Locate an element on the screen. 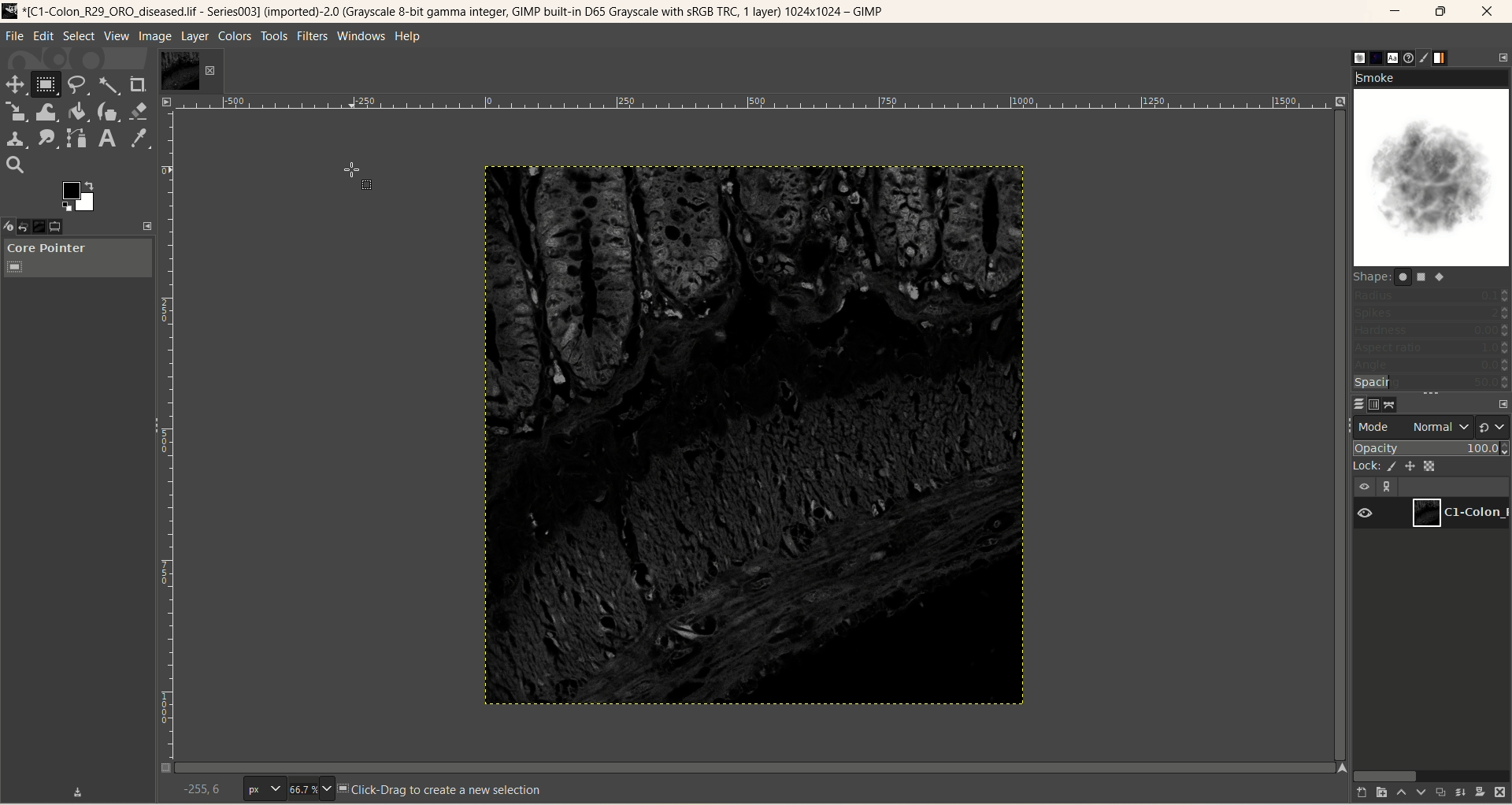 This screenshot has width=1512, height=805. switch to another group of modes is located at coordinates (1493, 426).